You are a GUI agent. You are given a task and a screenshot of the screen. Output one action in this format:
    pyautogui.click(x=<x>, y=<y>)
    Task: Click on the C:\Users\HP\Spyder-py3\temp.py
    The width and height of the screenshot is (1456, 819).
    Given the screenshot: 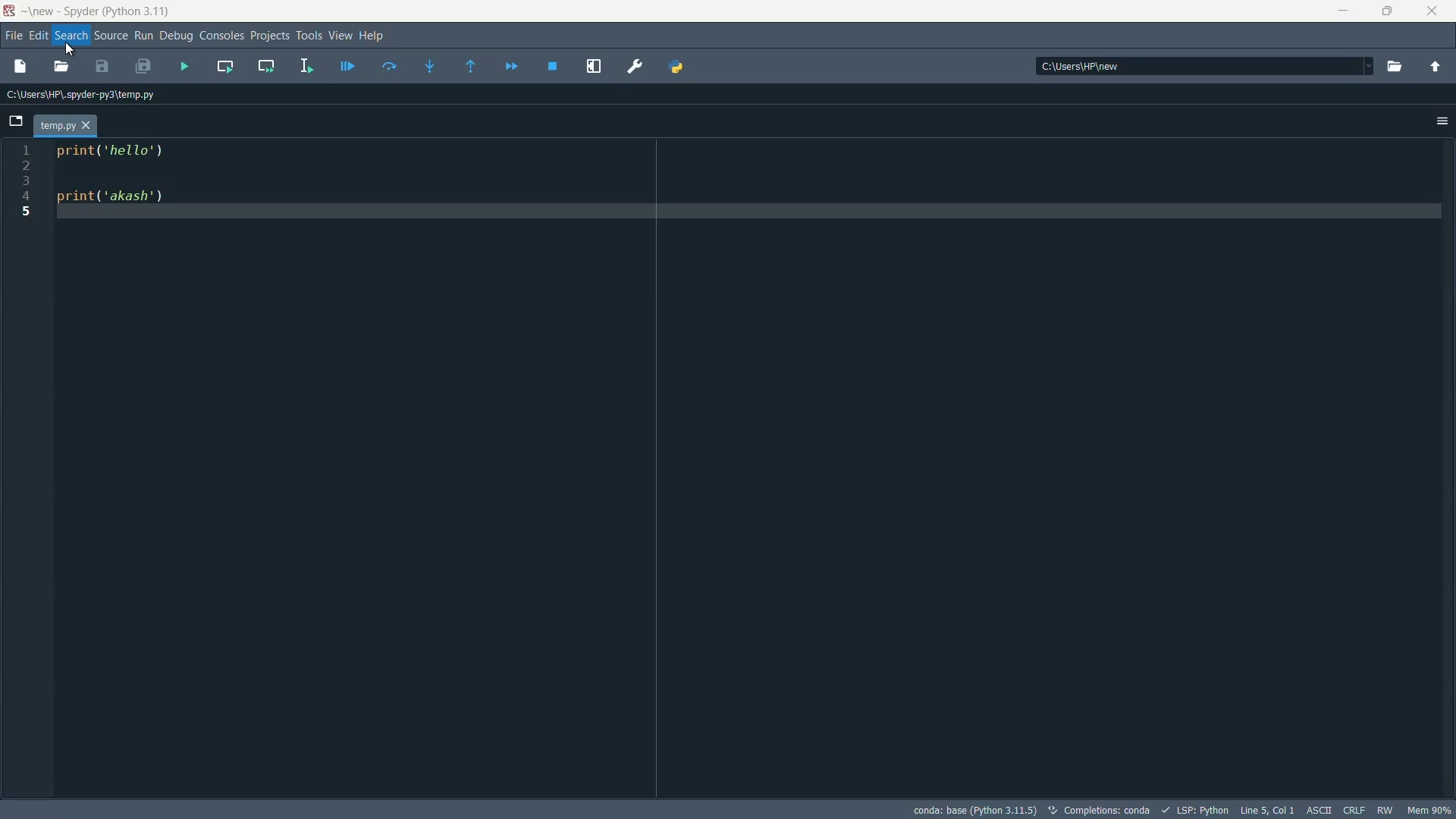 What is the action you would take?
    pyautogui.click(x=80, y=93)
    